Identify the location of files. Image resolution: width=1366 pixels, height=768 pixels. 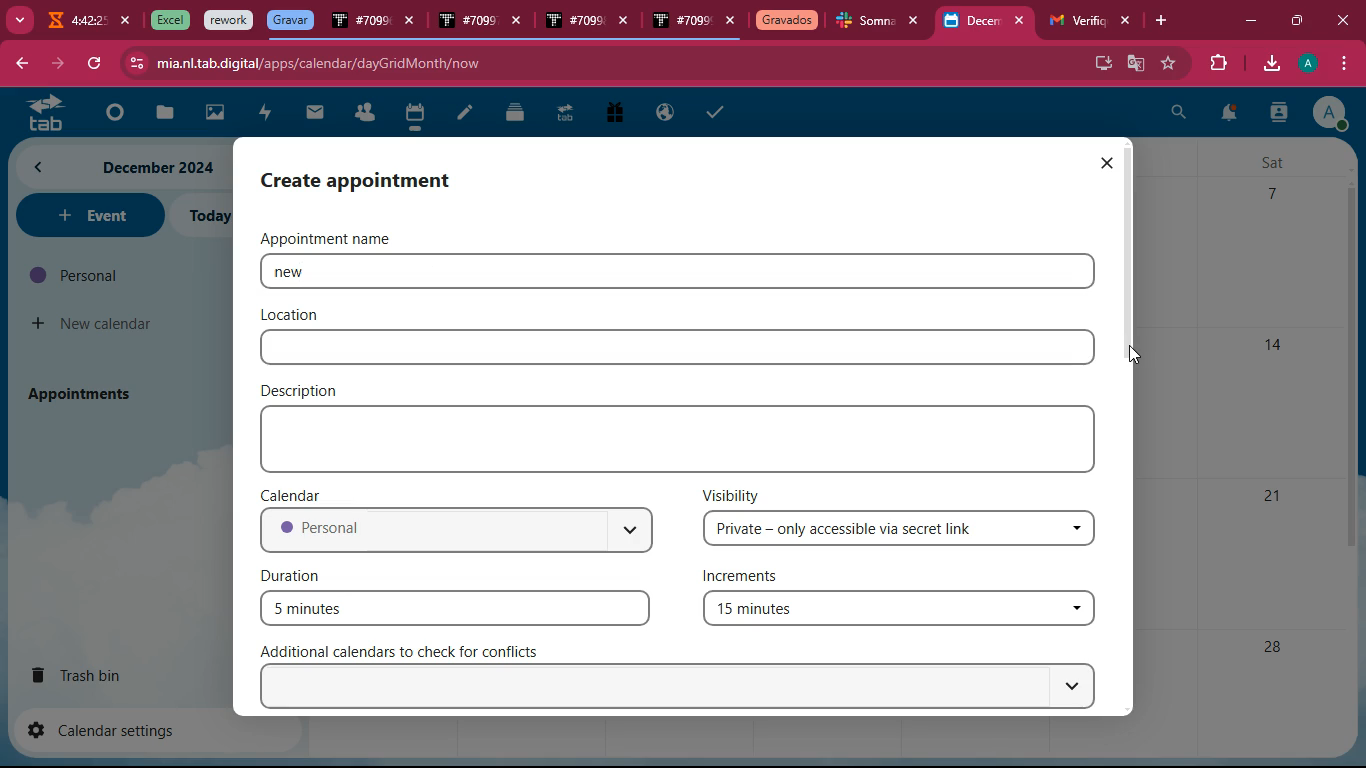
(517, 112).